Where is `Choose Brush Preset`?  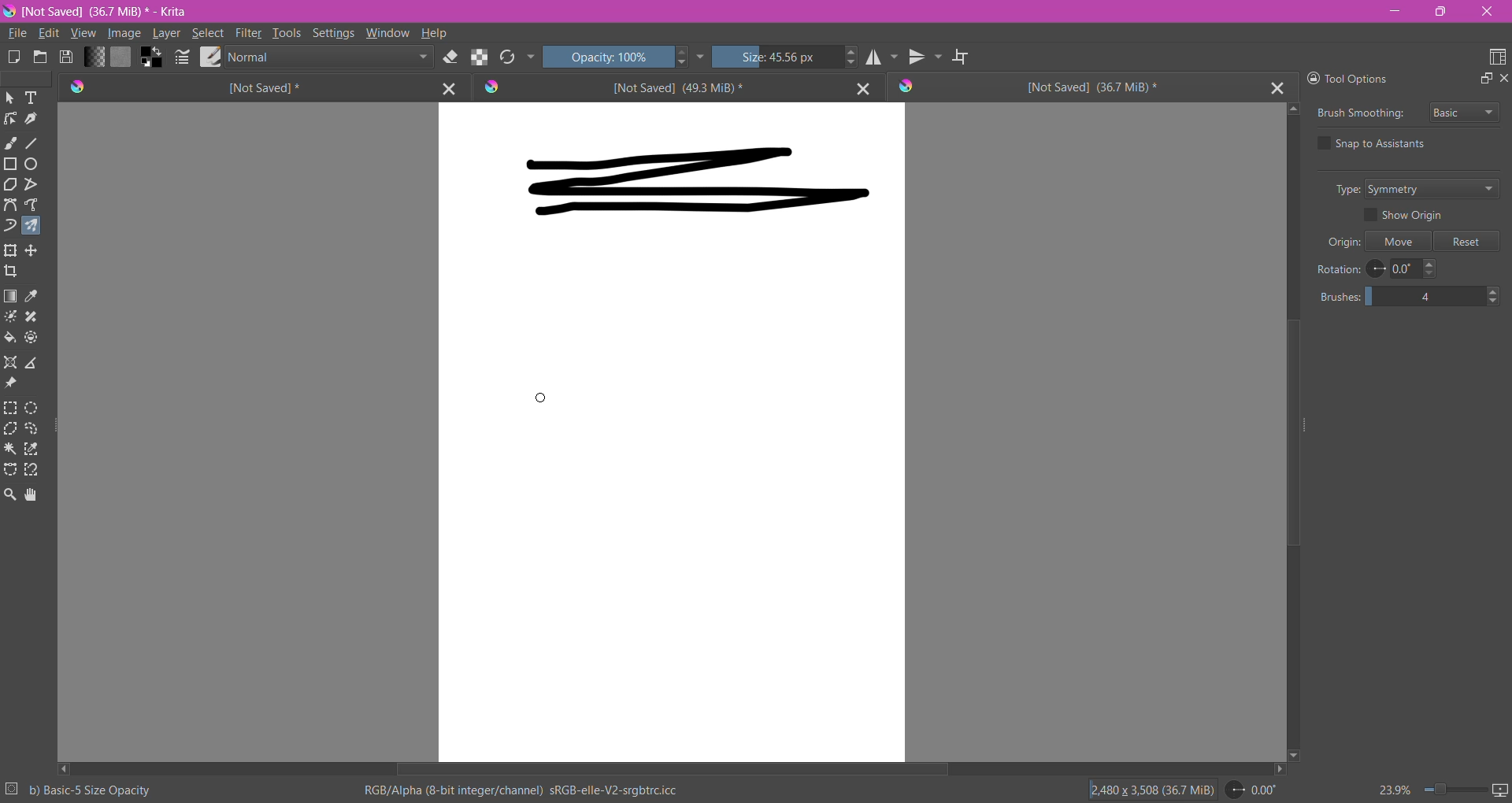 Choose Brush Preset is located at coordinates (209, 57).